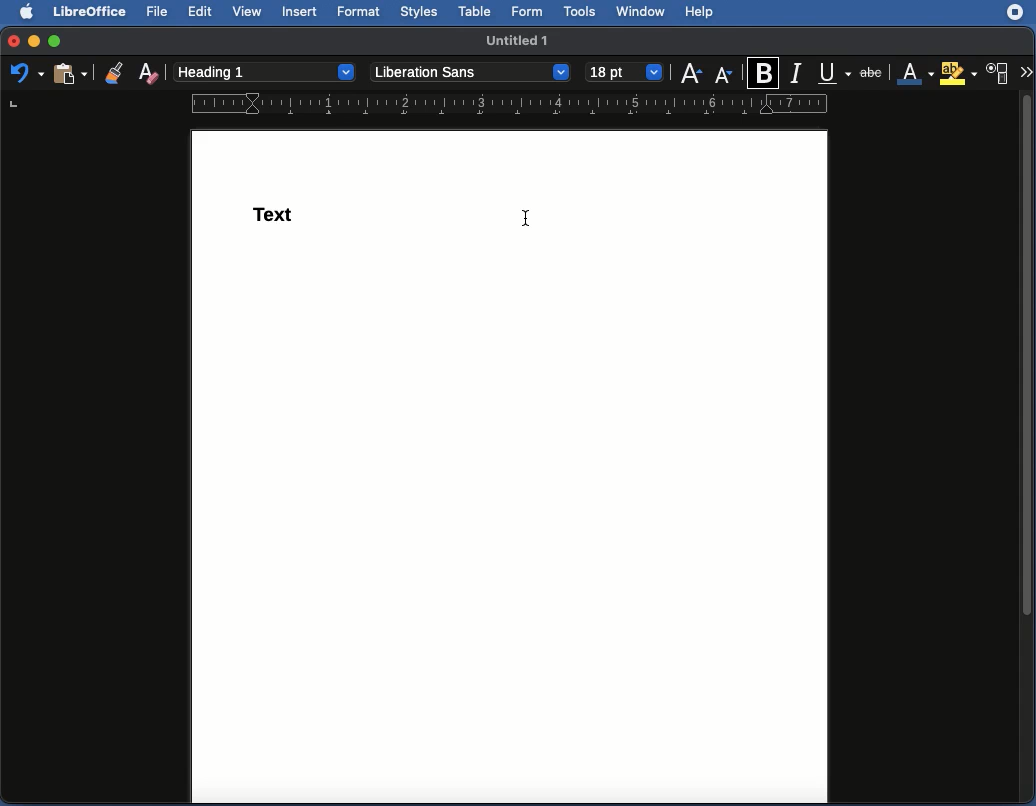 This screenshot has width=1036, height=806. What do you see at coordinates (34, 42) in the screenshot?
I see `Minimize` at bounding box center [34, 42].